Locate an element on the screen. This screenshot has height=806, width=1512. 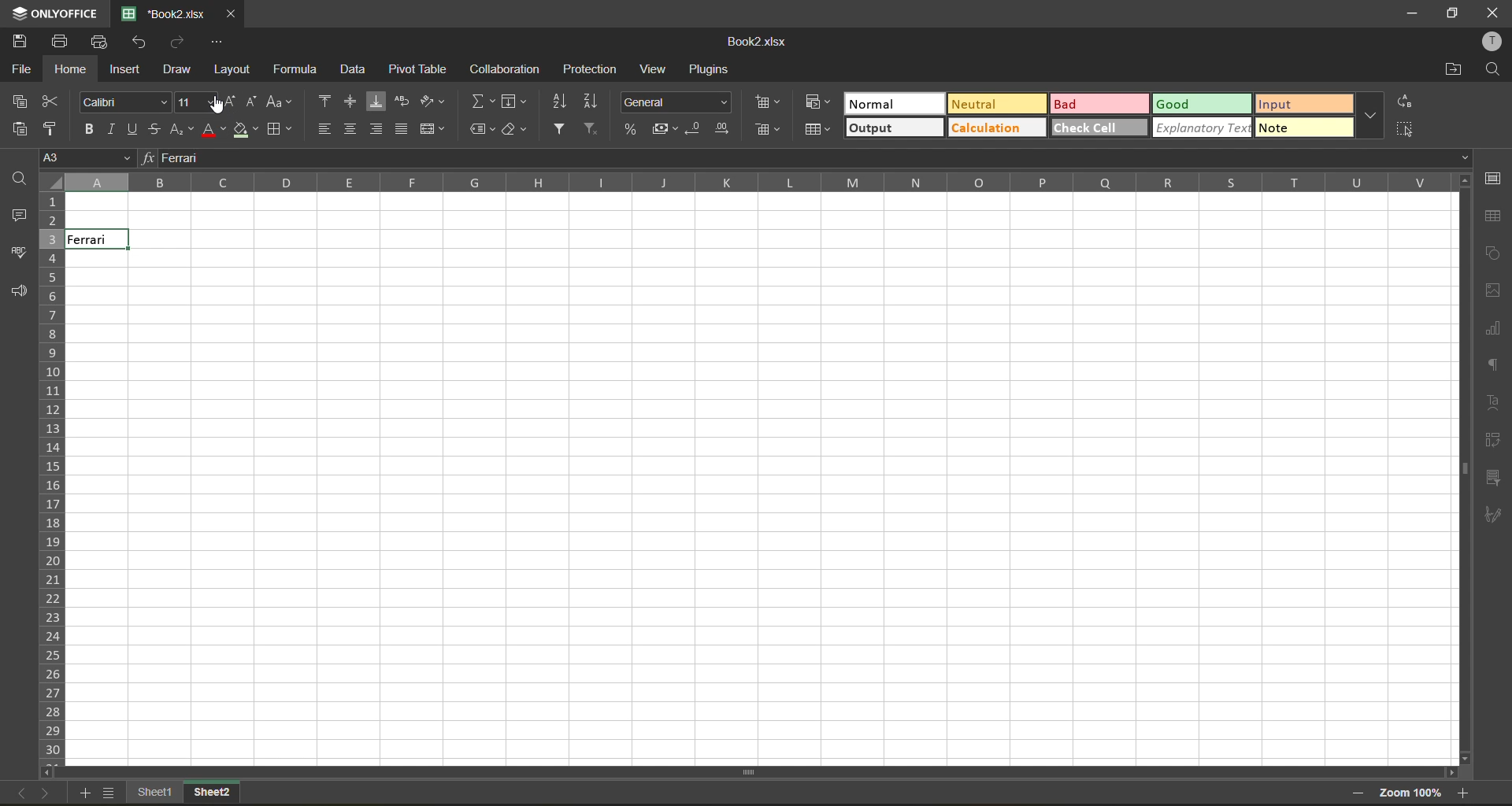
sort descending is located at coordinates (596, 102).